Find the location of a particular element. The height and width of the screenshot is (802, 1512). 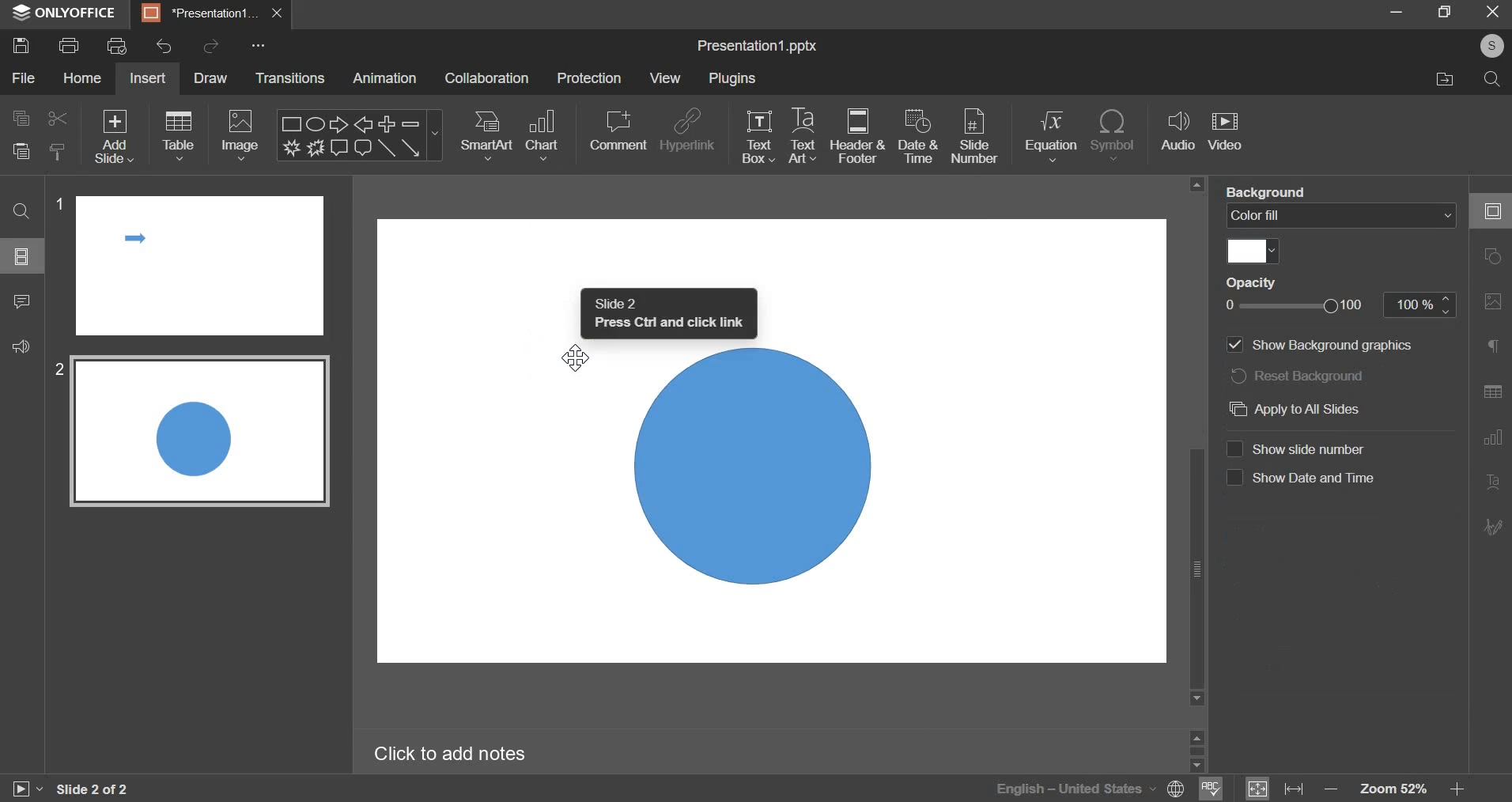

scrollbar is located at coordinates (1197, 752).